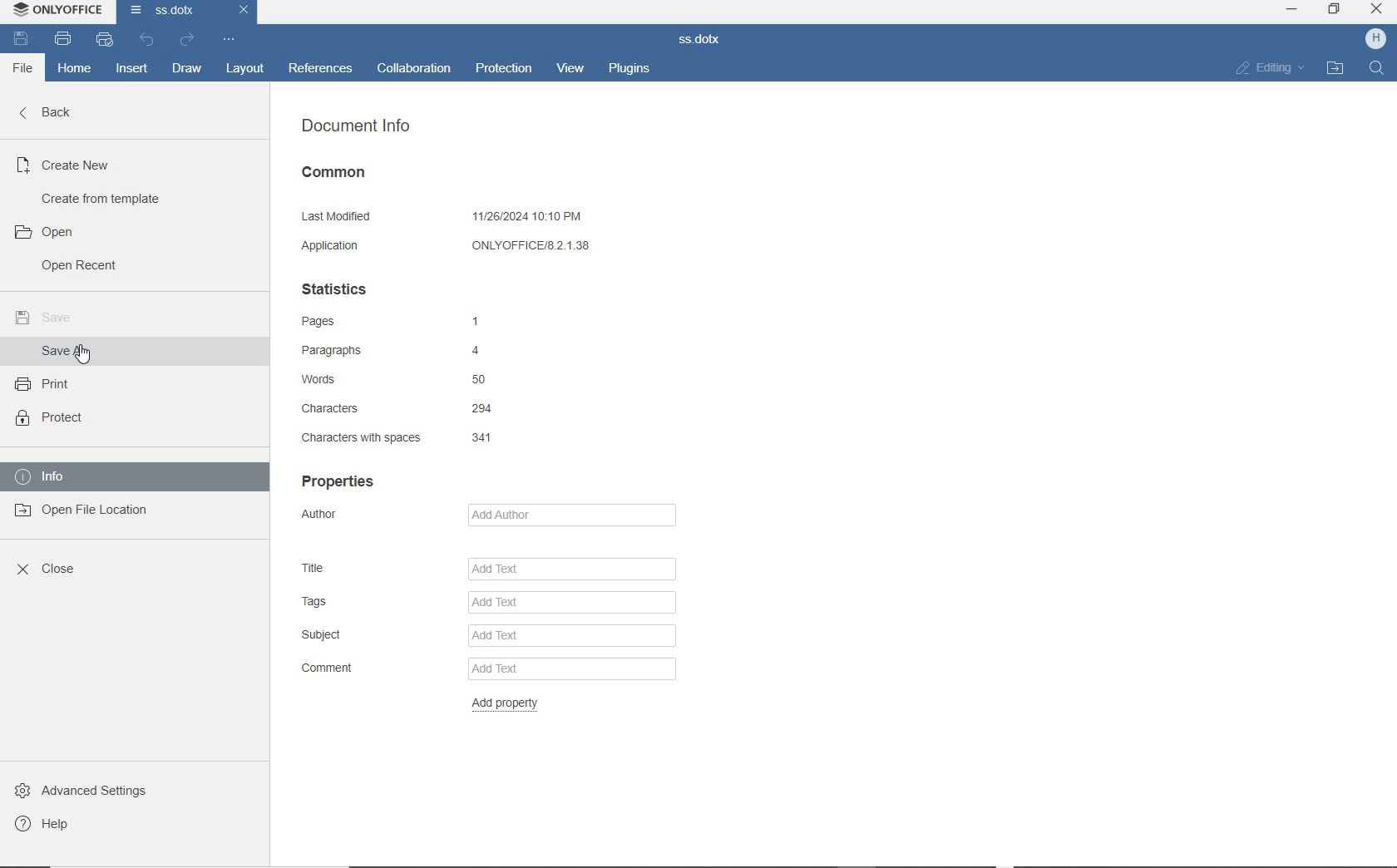 This screenshot has width=1397, height=868. Describe the element at coordinates (52, 384) in the screenshot. I see `PRINT` at that location.